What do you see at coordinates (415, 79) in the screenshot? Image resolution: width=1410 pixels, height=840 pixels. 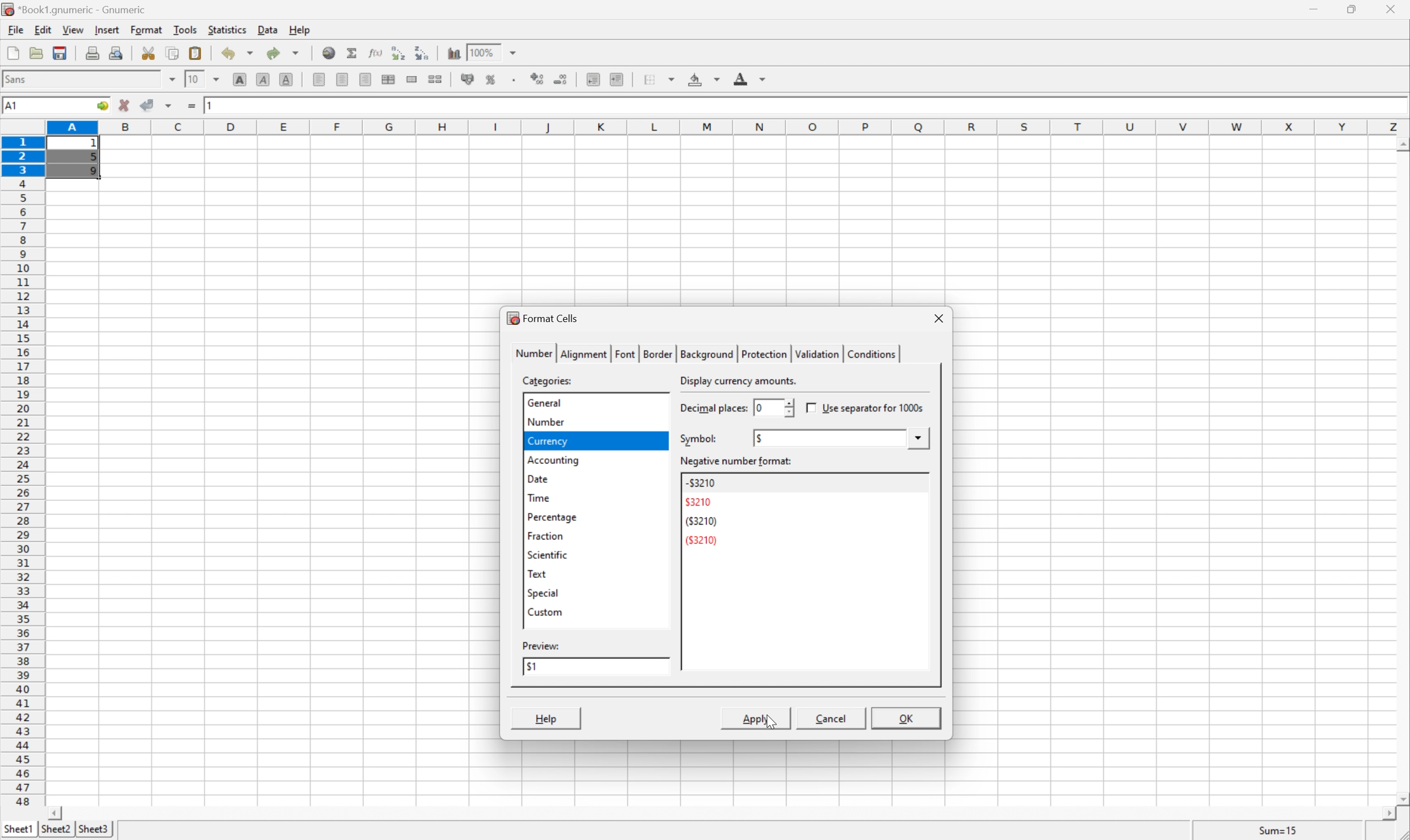 I see `merge a range of cells` at bounding box center [415, 79].